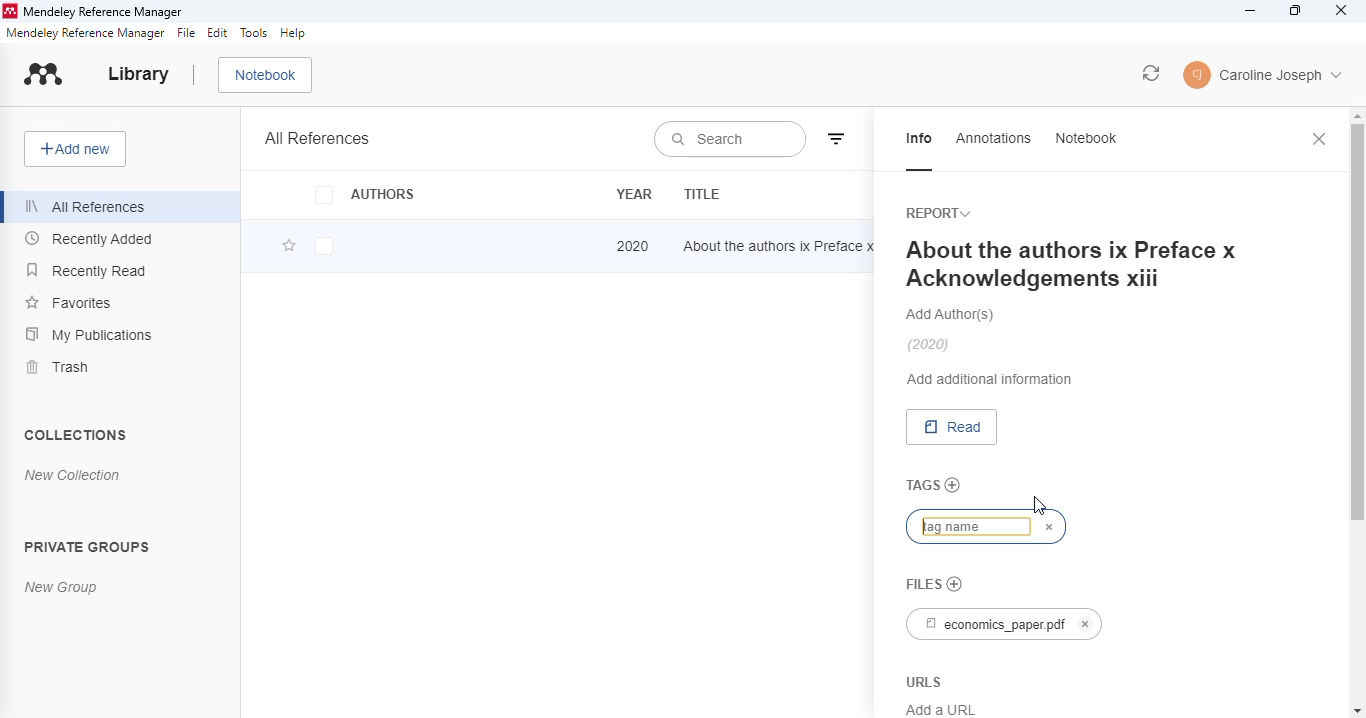 This screenshot has width=1366, height=718. I want to click on add, so click(954, 485).